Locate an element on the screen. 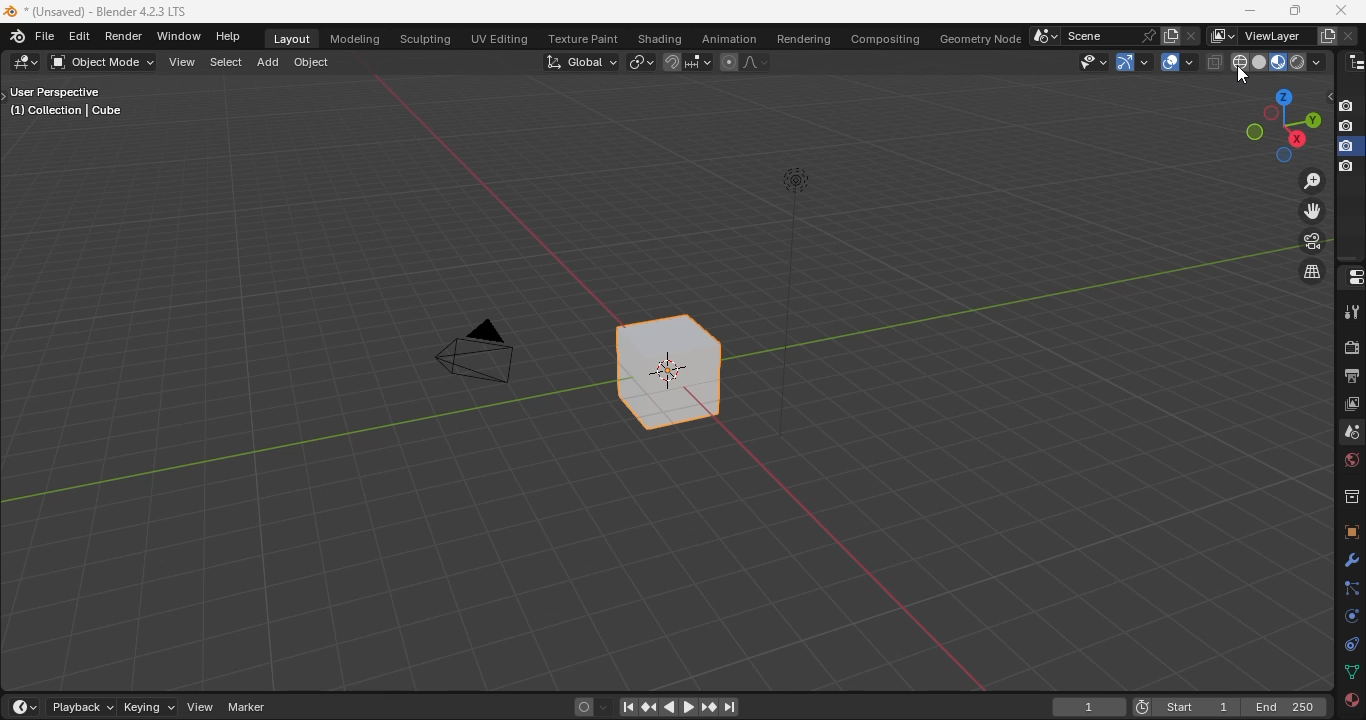  help is located at coordinates (231, 35).